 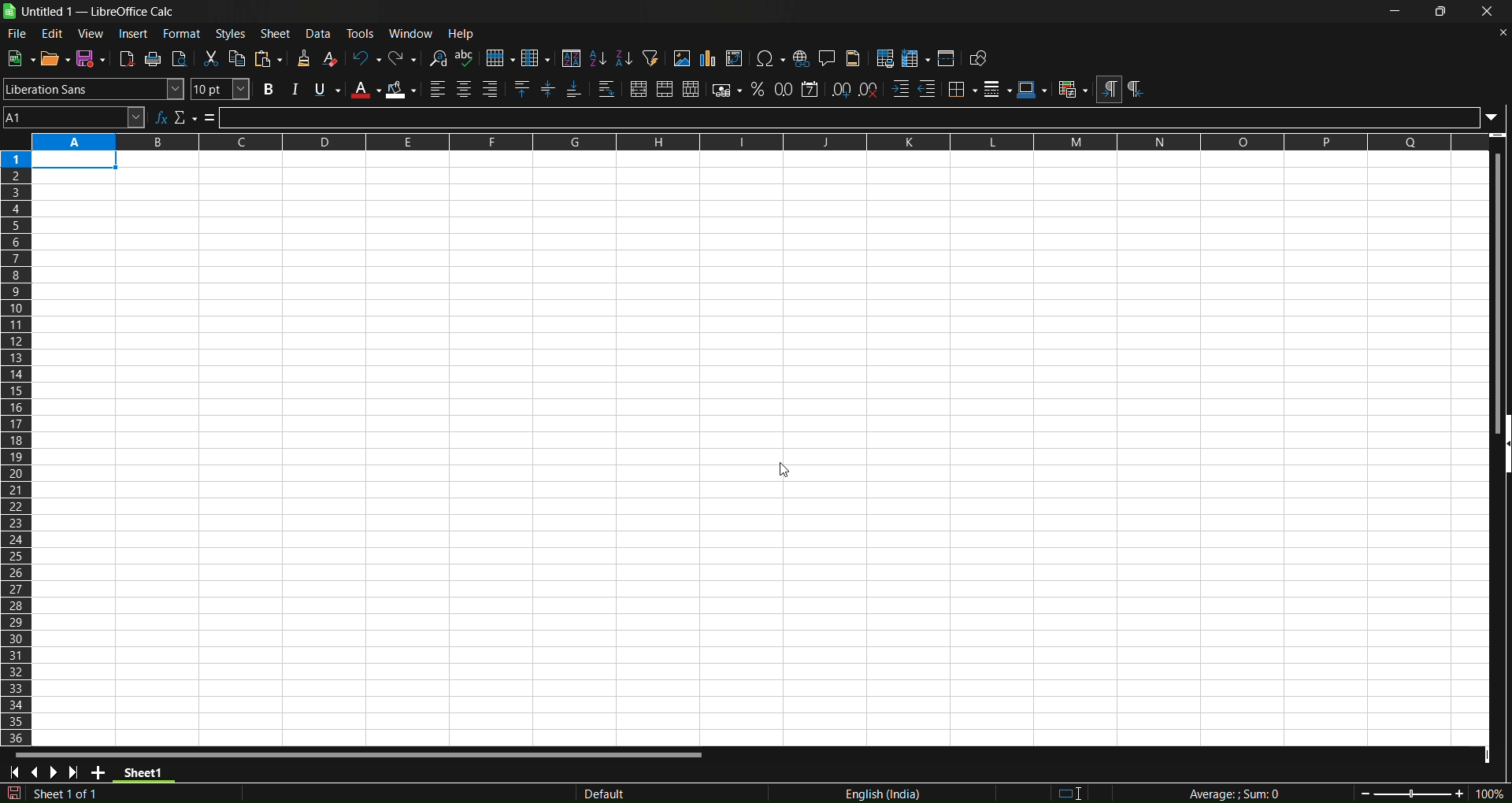 I want to click on column, so click(x=537, y=57).